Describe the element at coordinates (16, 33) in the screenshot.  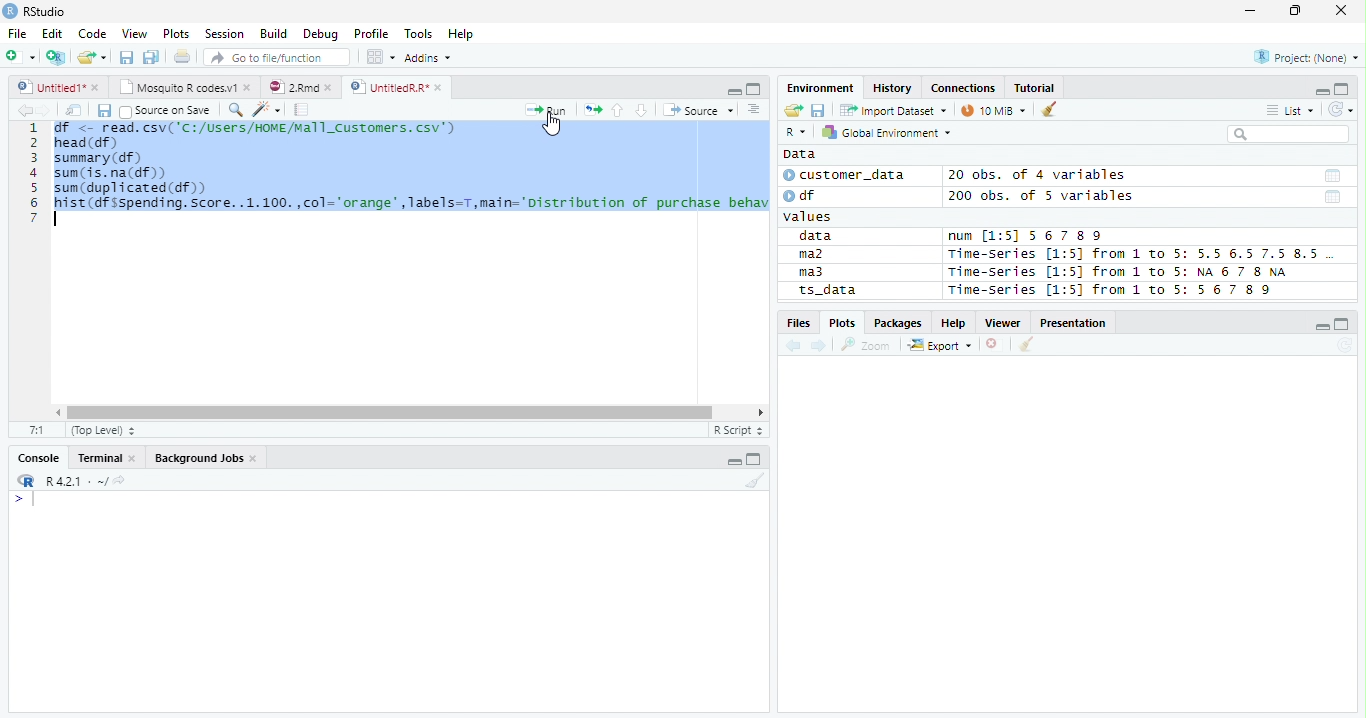
I see `File` at that location.